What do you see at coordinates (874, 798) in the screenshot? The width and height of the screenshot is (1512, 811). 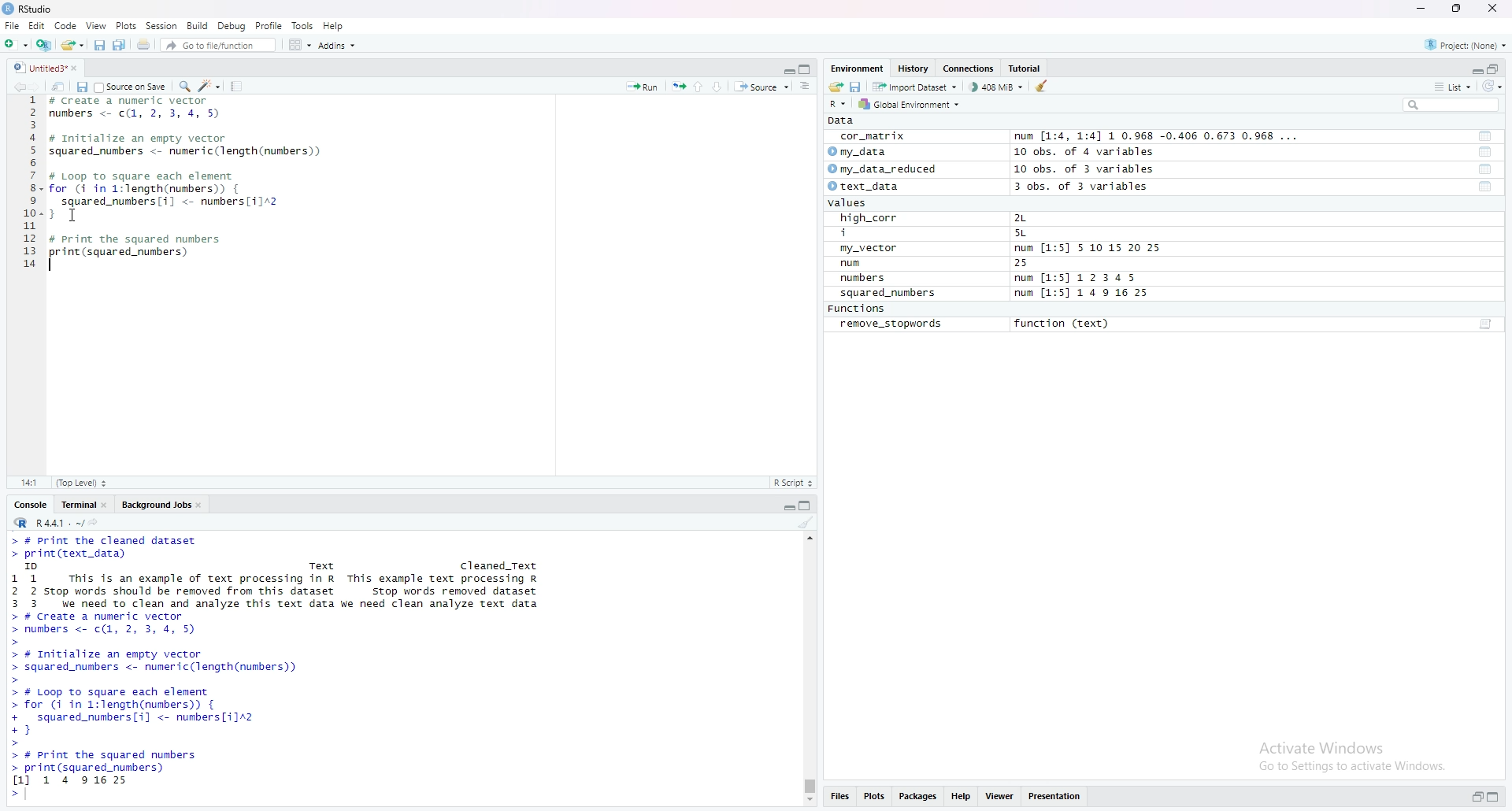 I see `Plots` at bounding box center [874, 798].